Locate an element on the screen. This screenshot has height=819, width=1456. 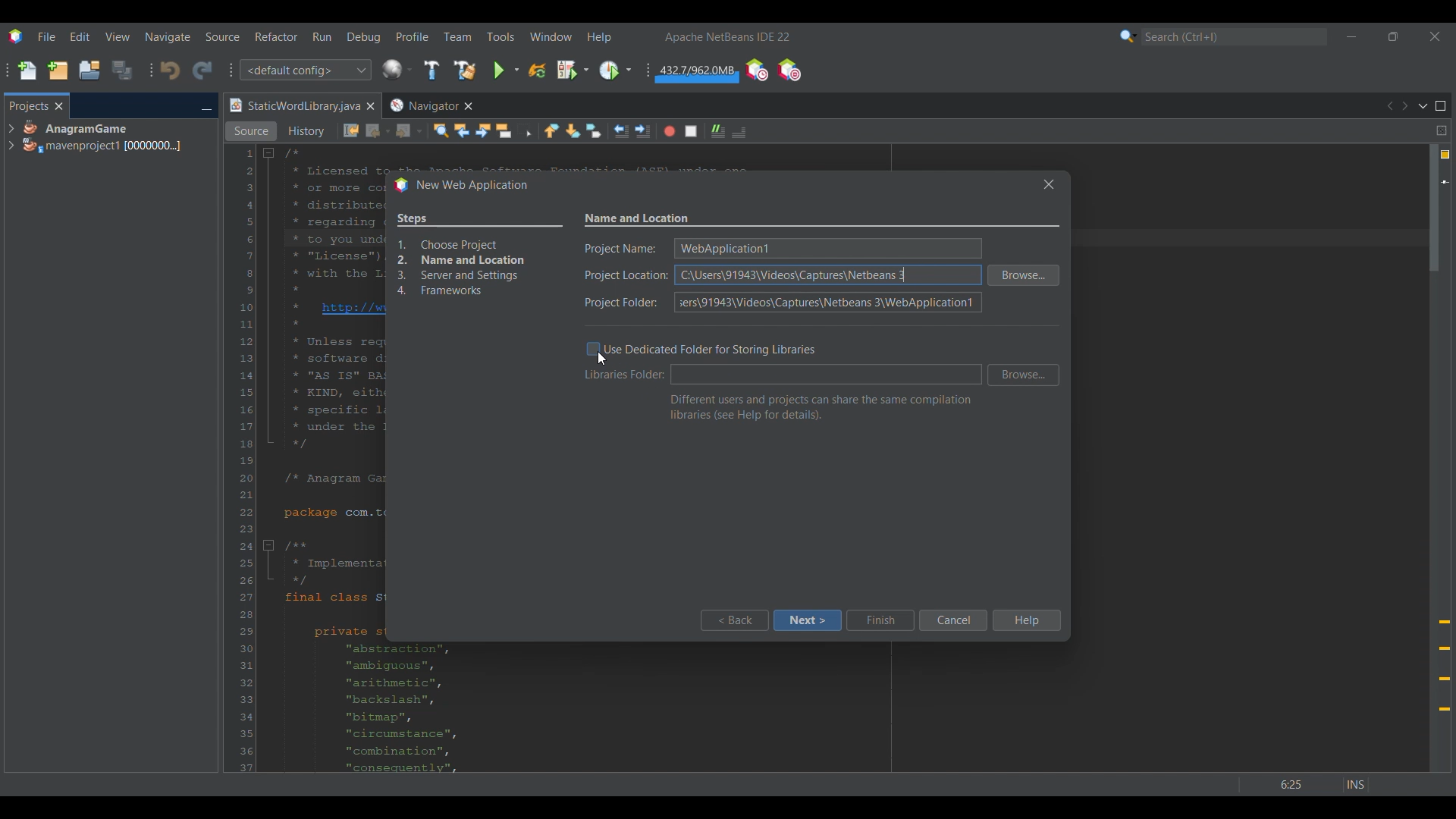
Software name and version is located at coordinates (728, 36).